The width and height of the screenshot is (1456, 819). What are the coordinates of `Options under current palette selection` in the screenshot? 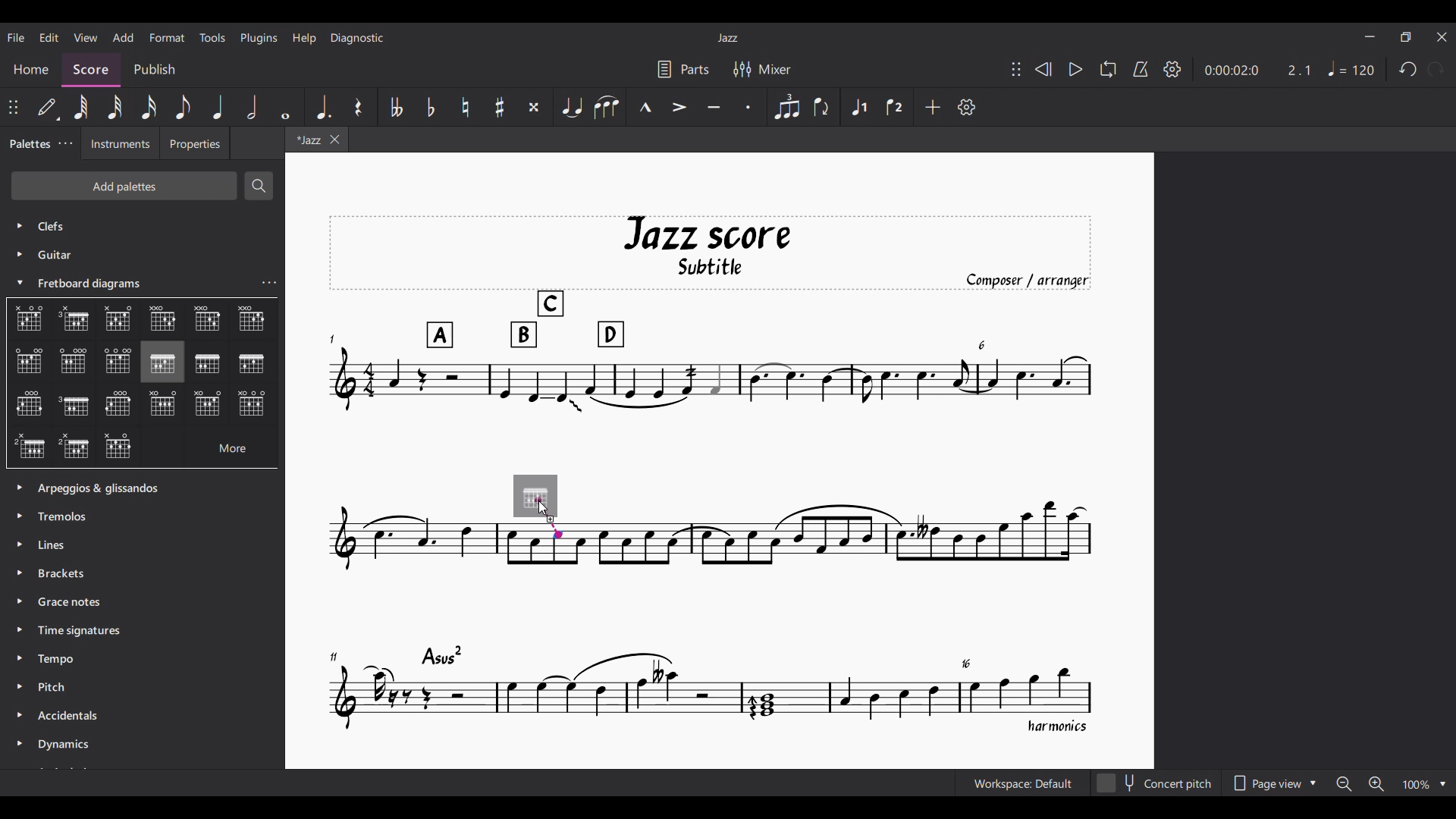 It's located at (24, 314).